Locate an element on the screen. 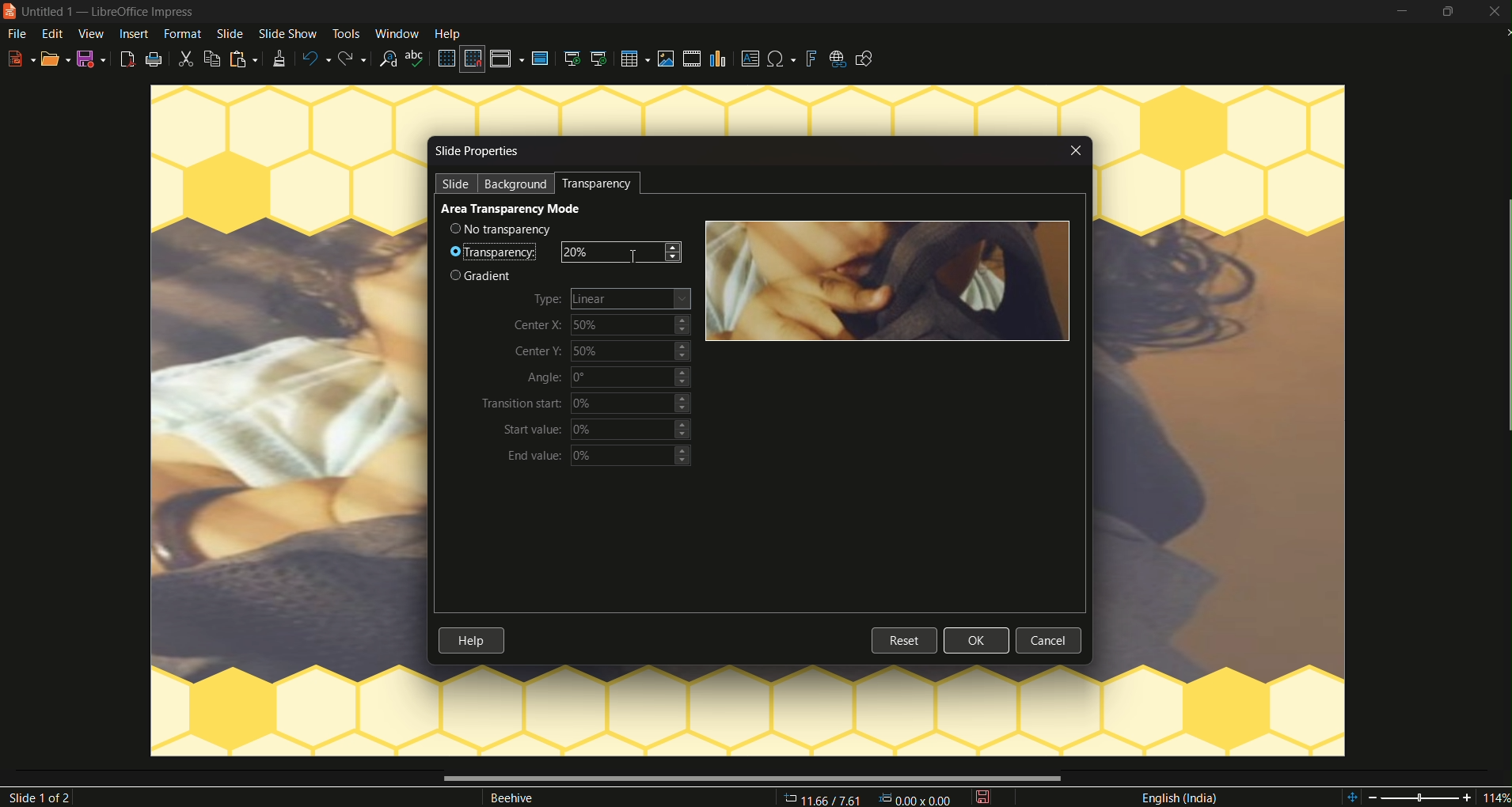  display views is located at coordinates (508, 59).